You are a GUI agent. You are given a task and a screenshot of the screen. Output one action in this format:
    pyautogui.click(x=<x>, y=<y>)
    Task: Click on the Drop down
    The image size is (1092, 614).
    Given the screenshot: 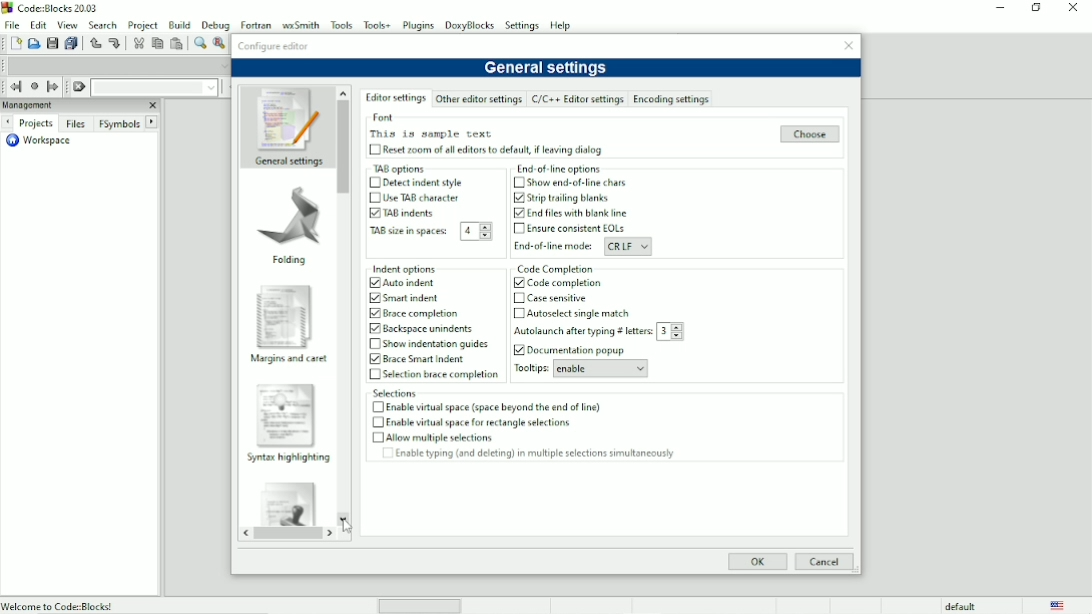 What is the action you would take?
    pyautogui.click(x=210, y=88)
    